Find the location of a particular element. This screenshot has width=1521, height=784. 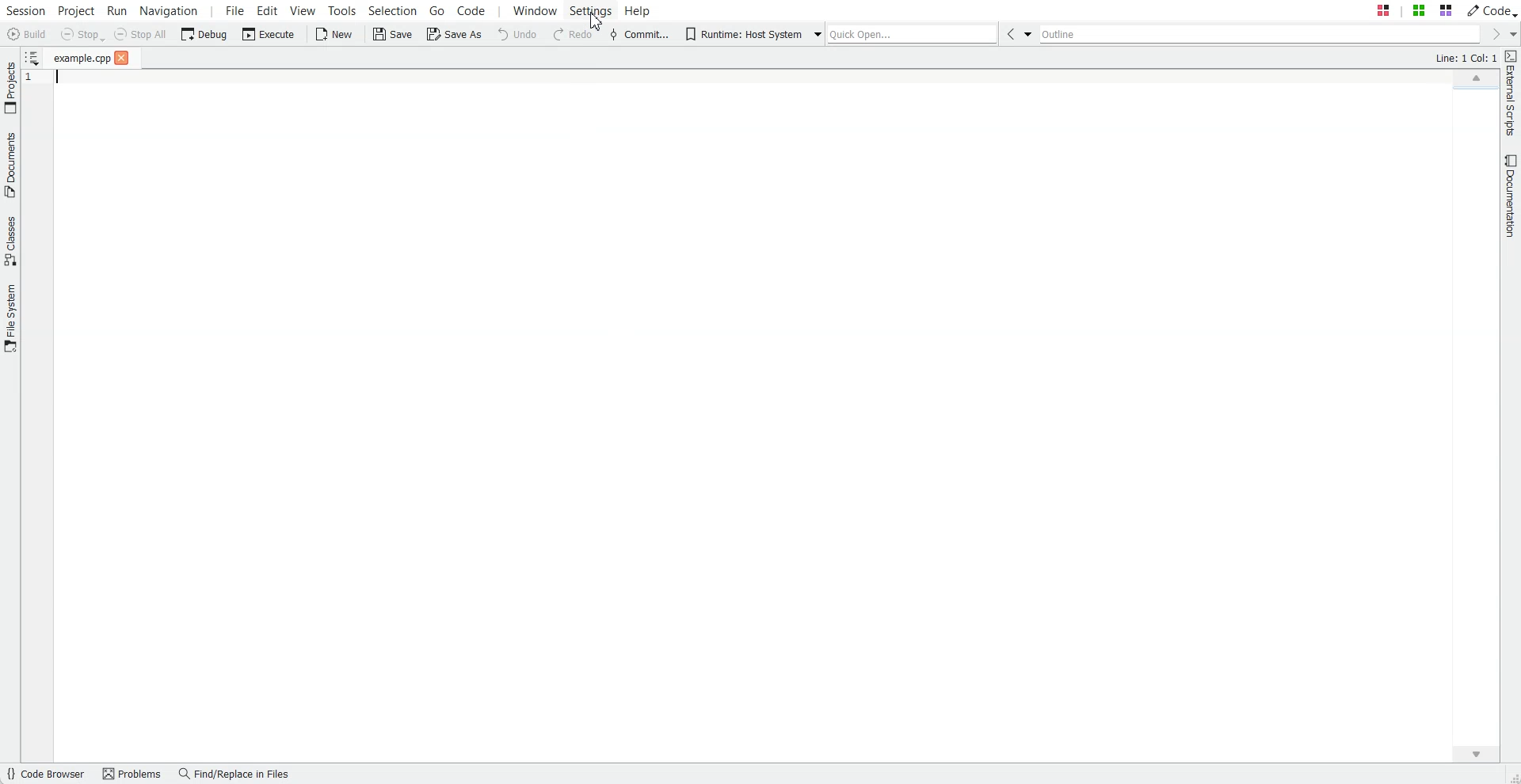

Quick Open is located at coordinates (912, 34).